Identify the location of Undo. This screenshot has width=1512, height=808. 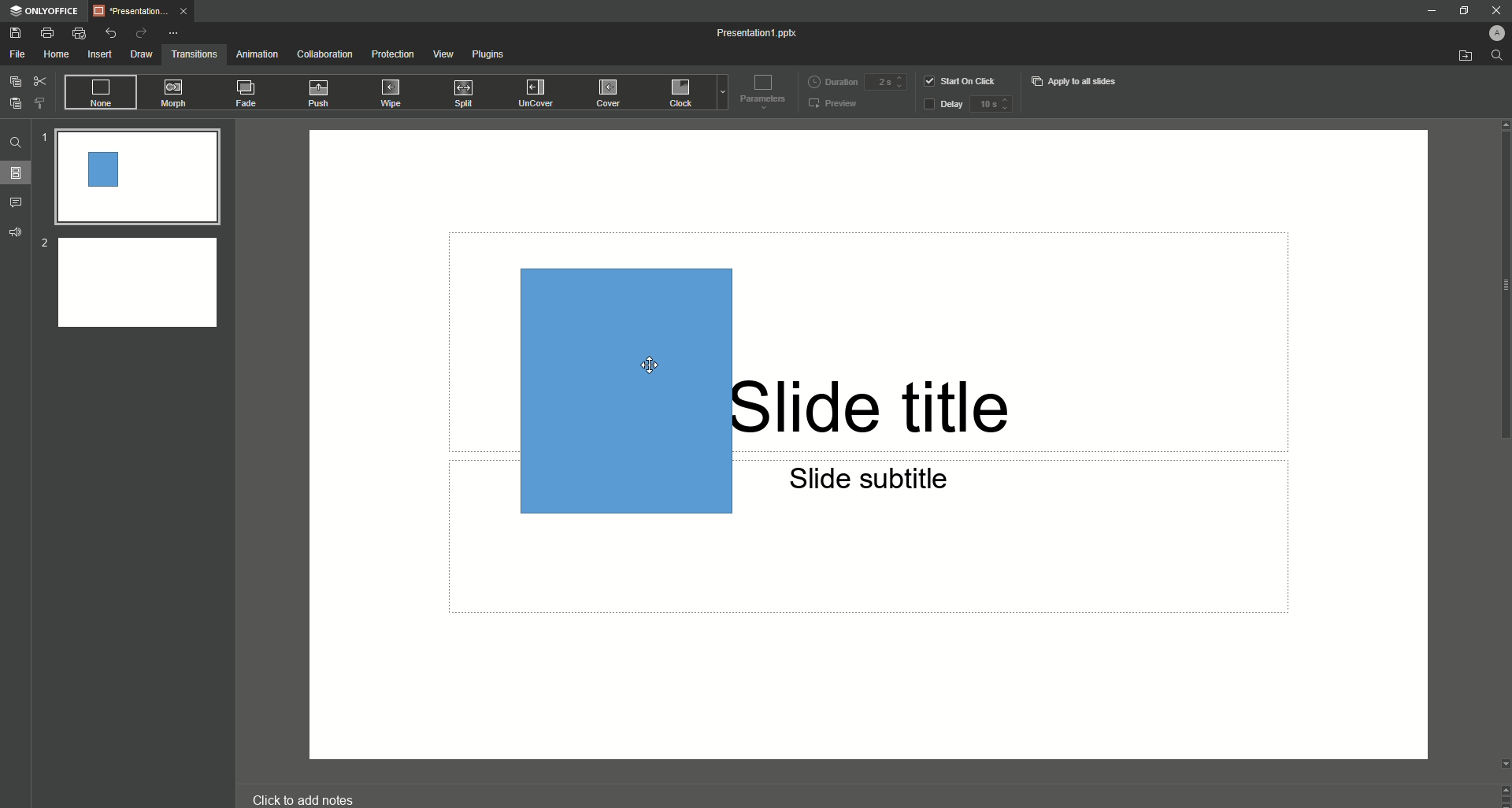
(111, 32).